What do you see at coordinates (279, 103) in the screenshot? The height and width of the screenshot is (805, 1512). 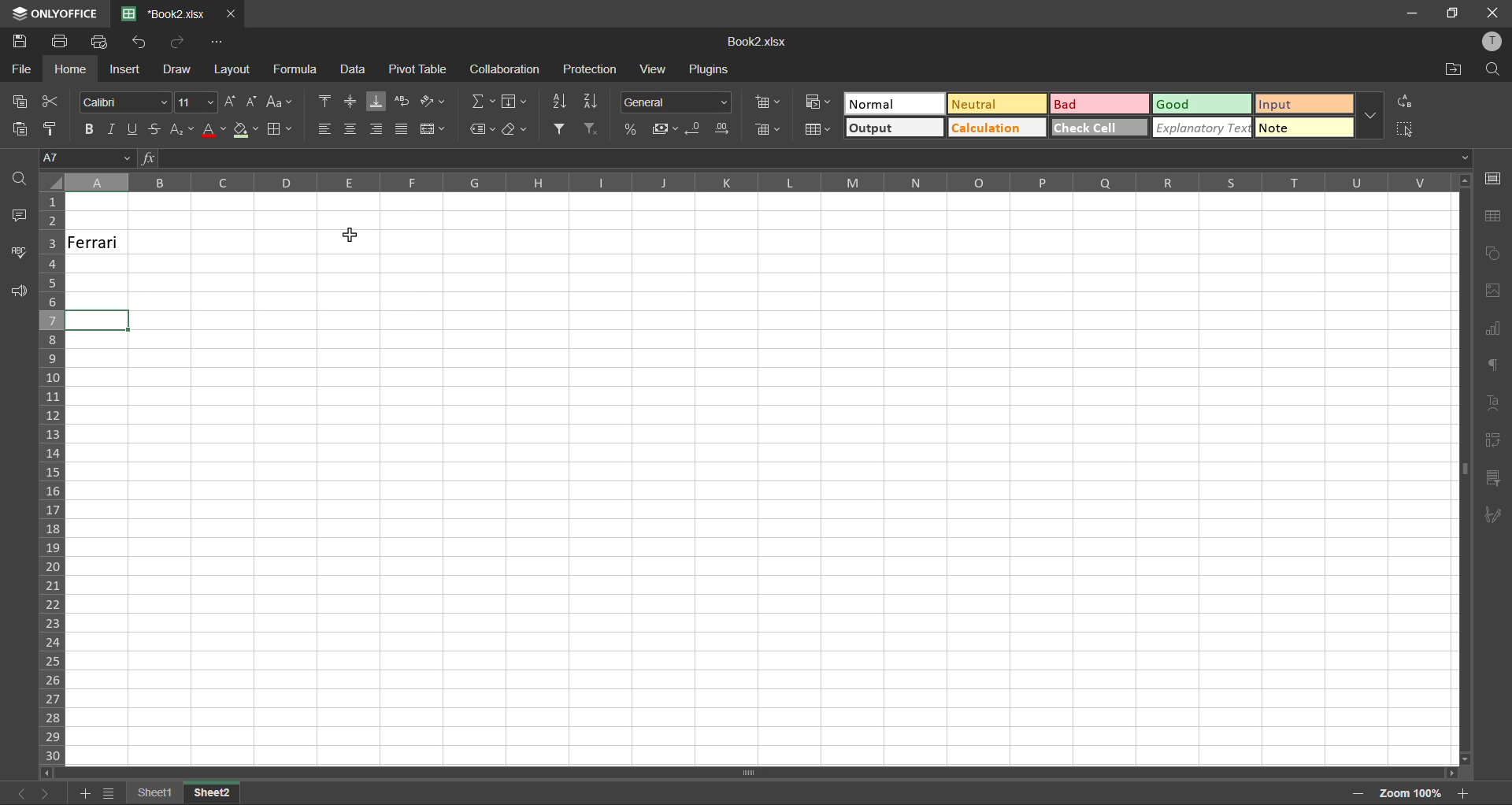 I see `change case` at bounding box center [279, 103].